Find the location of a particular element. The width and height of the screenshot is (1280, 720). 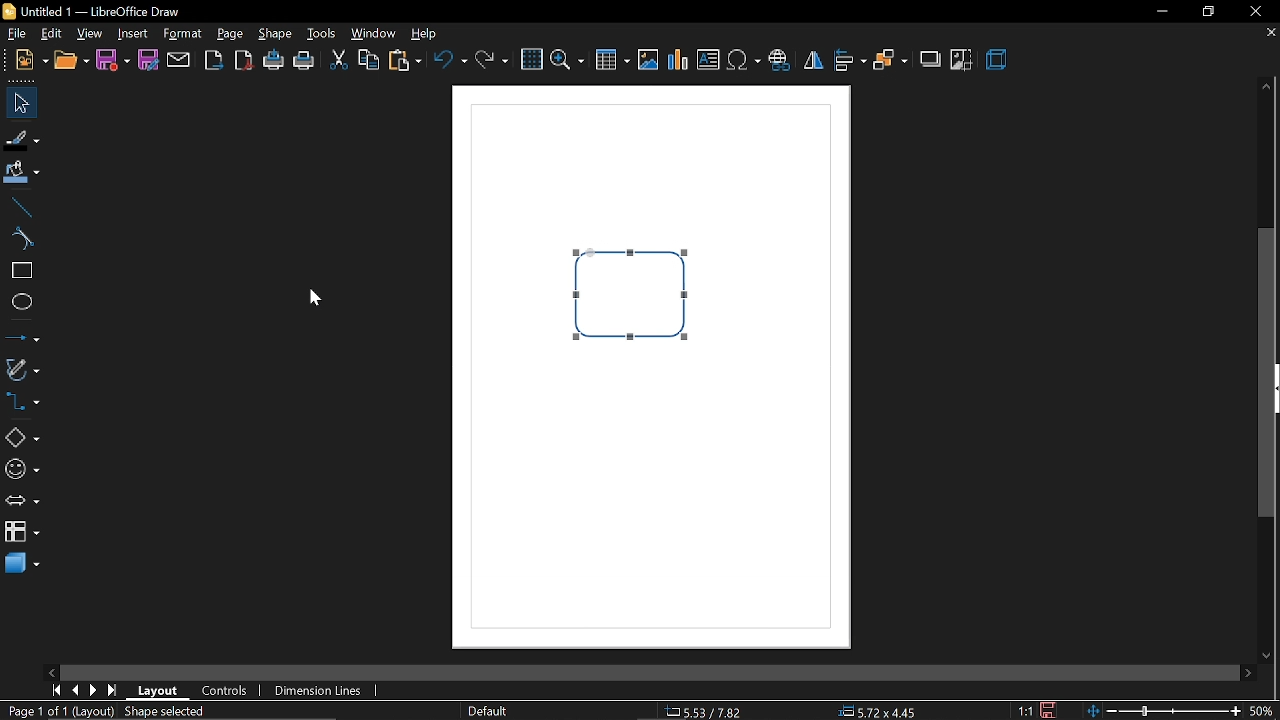

file is located at coordinates (32, 60).